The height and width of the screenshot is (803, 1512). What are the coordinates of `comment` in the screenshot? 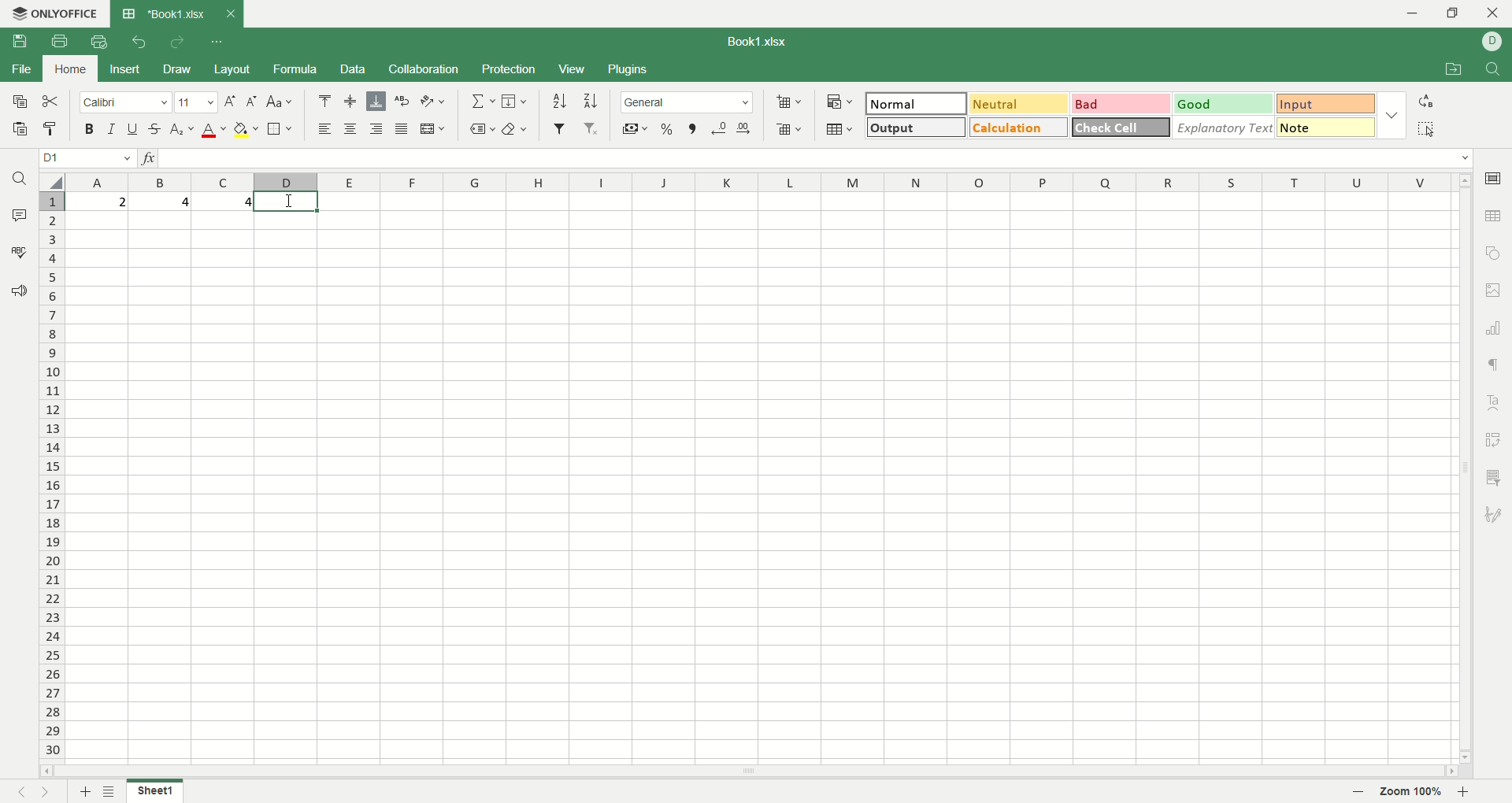 It's located at (20, 215).